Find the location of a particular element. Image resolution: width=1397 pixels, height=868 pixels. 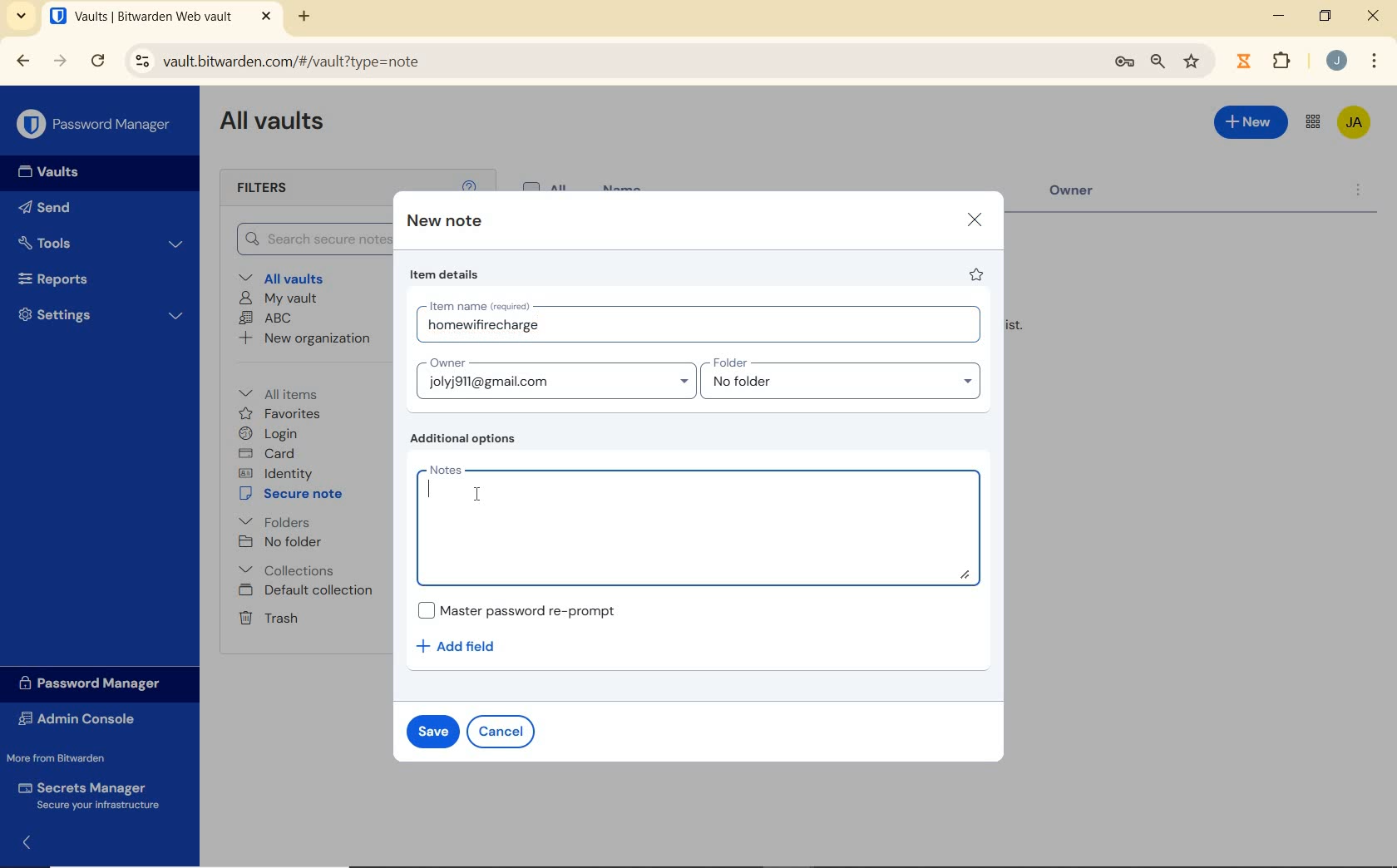

Settings is located at coordinates (99, 314).